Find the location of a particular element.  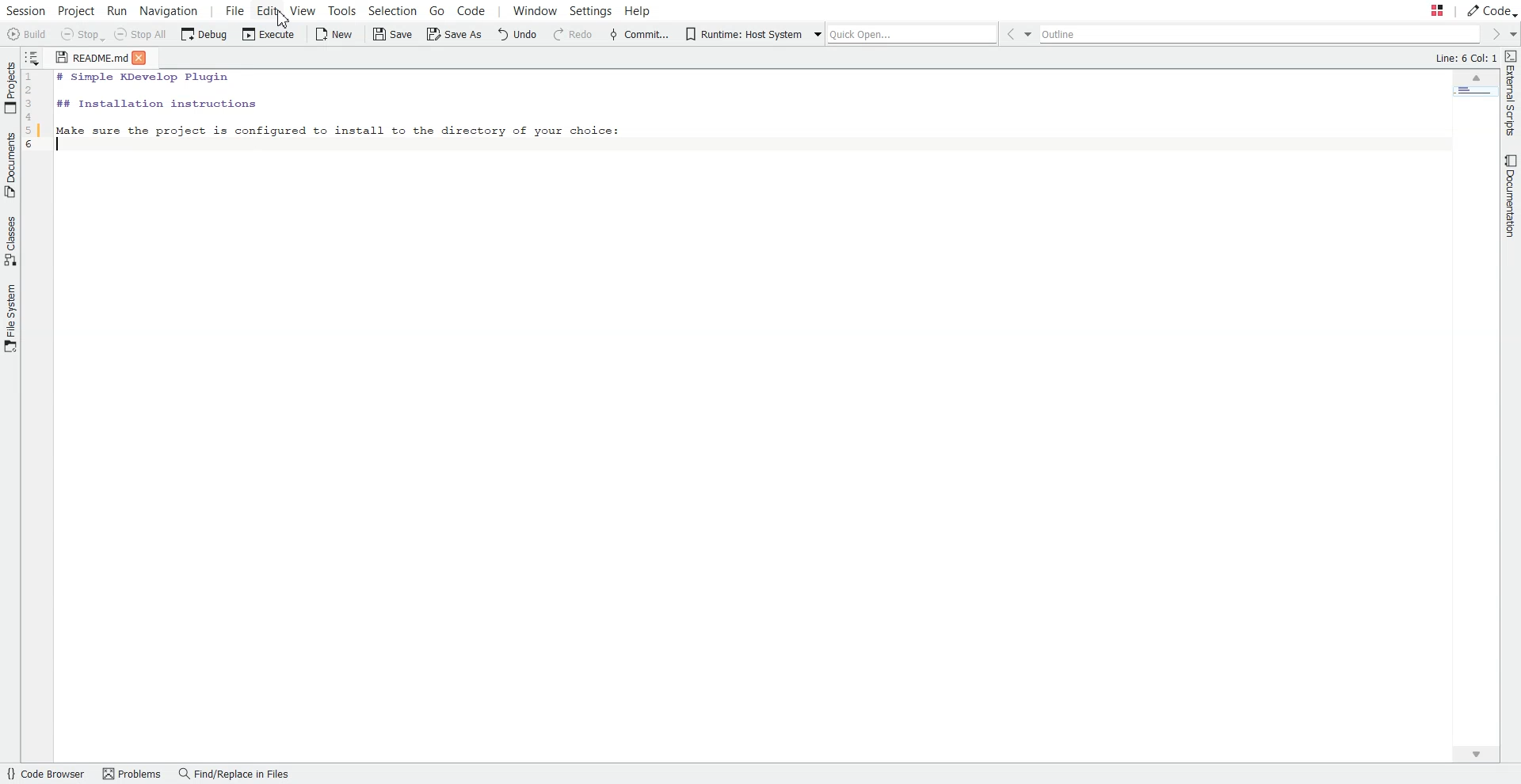

Make sure the project is configured to install to the directory of your choice: is located at coordinates (338, 128).